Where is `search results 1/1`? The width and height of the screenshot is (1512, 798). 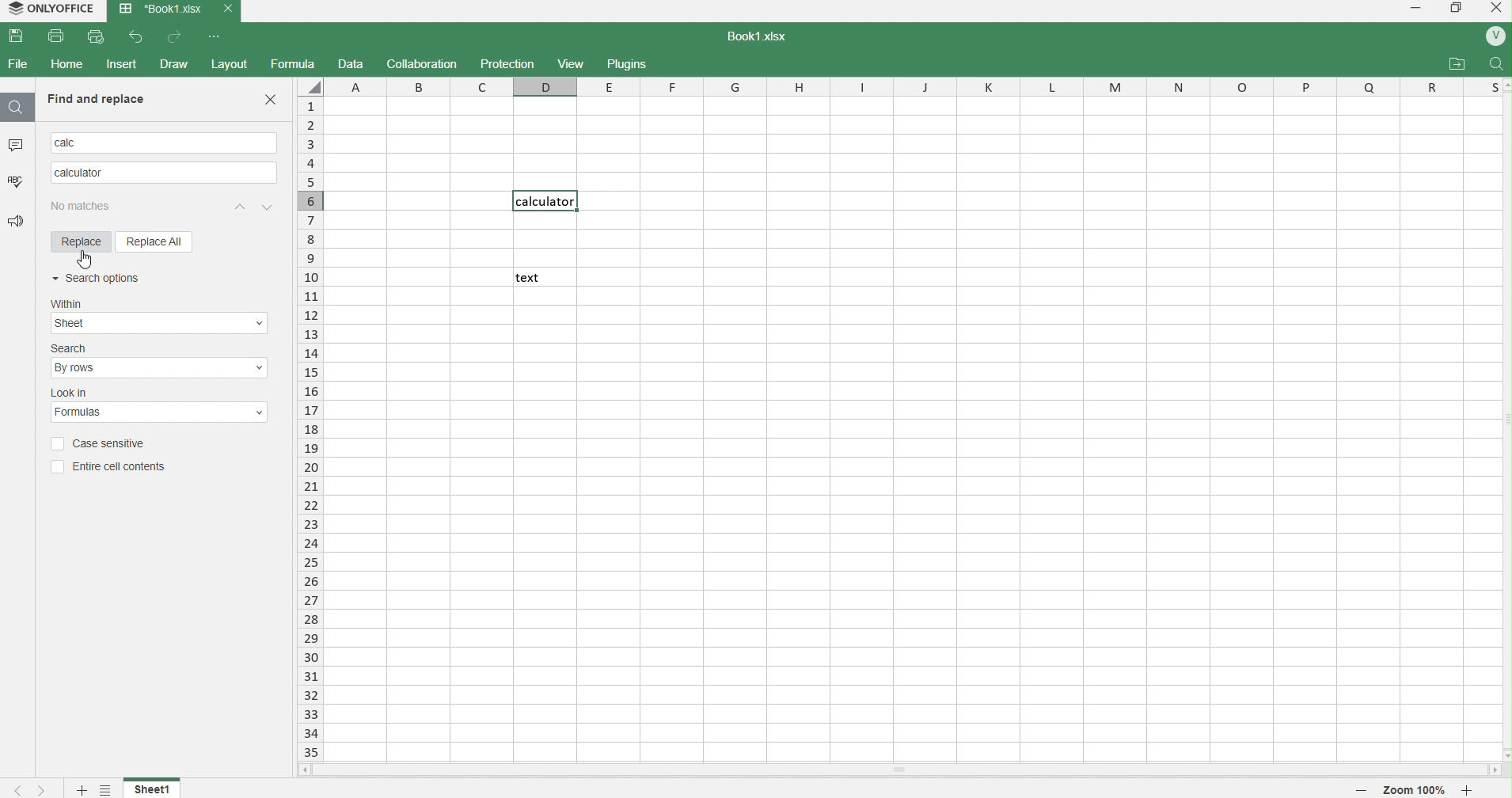
search results 1/1 is located at coordinates (101, 207).